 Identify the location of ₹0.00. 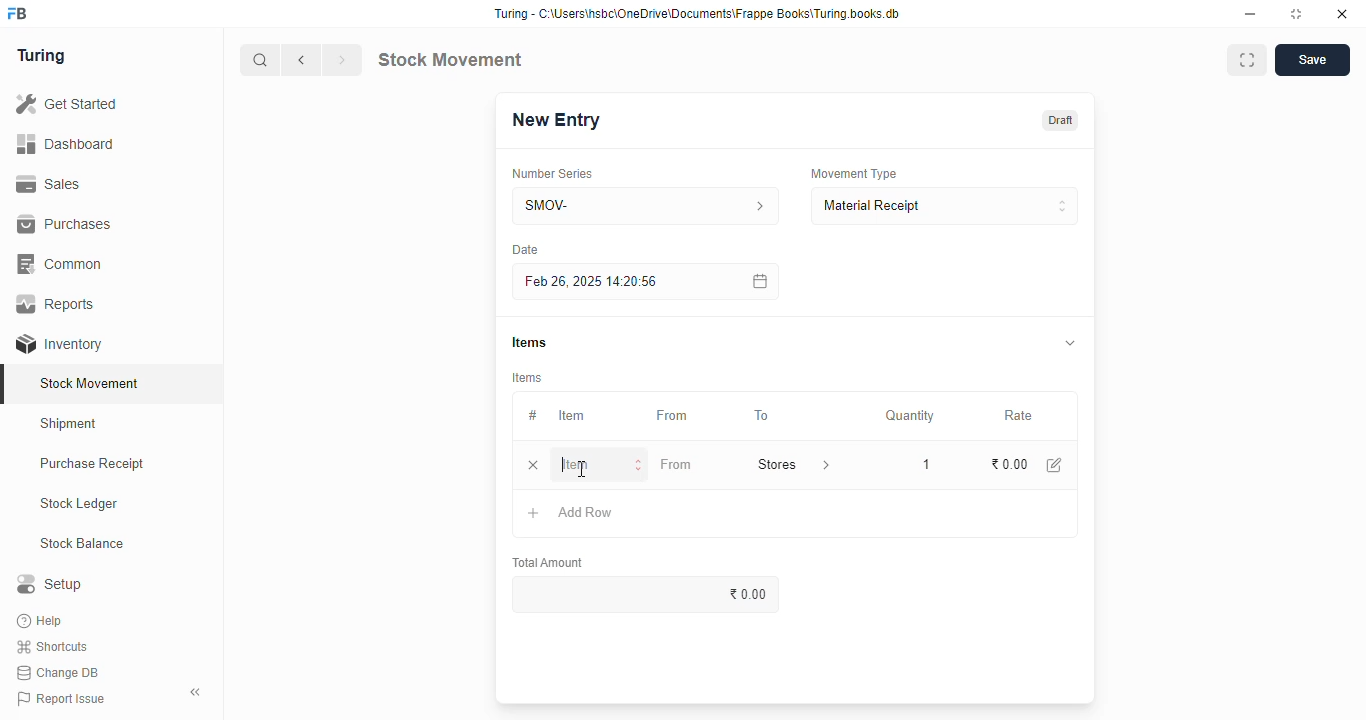
(650, 594).